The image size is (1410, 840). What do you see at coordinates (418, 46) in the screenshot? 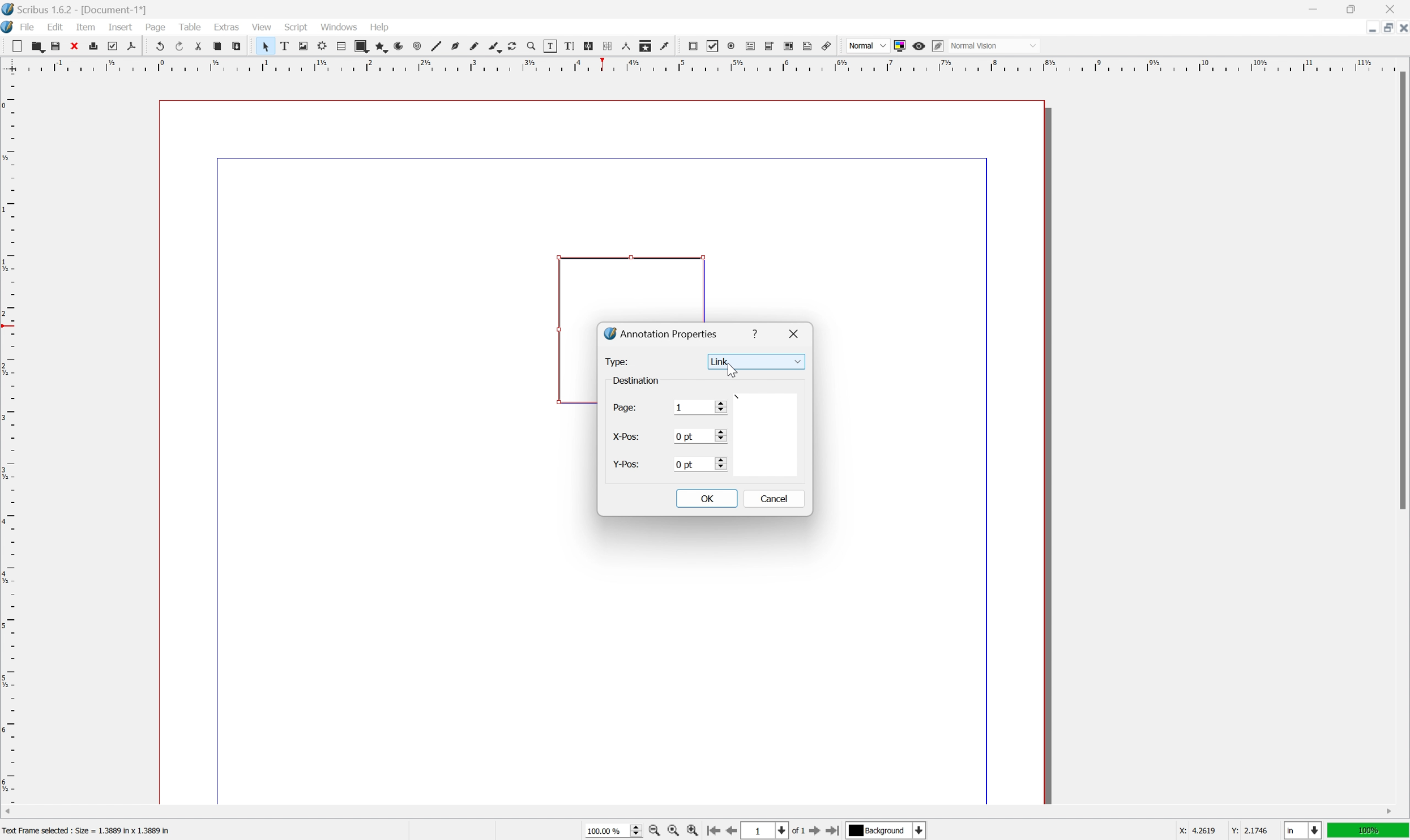
I see `spiral` at bounding box center [418, 46].